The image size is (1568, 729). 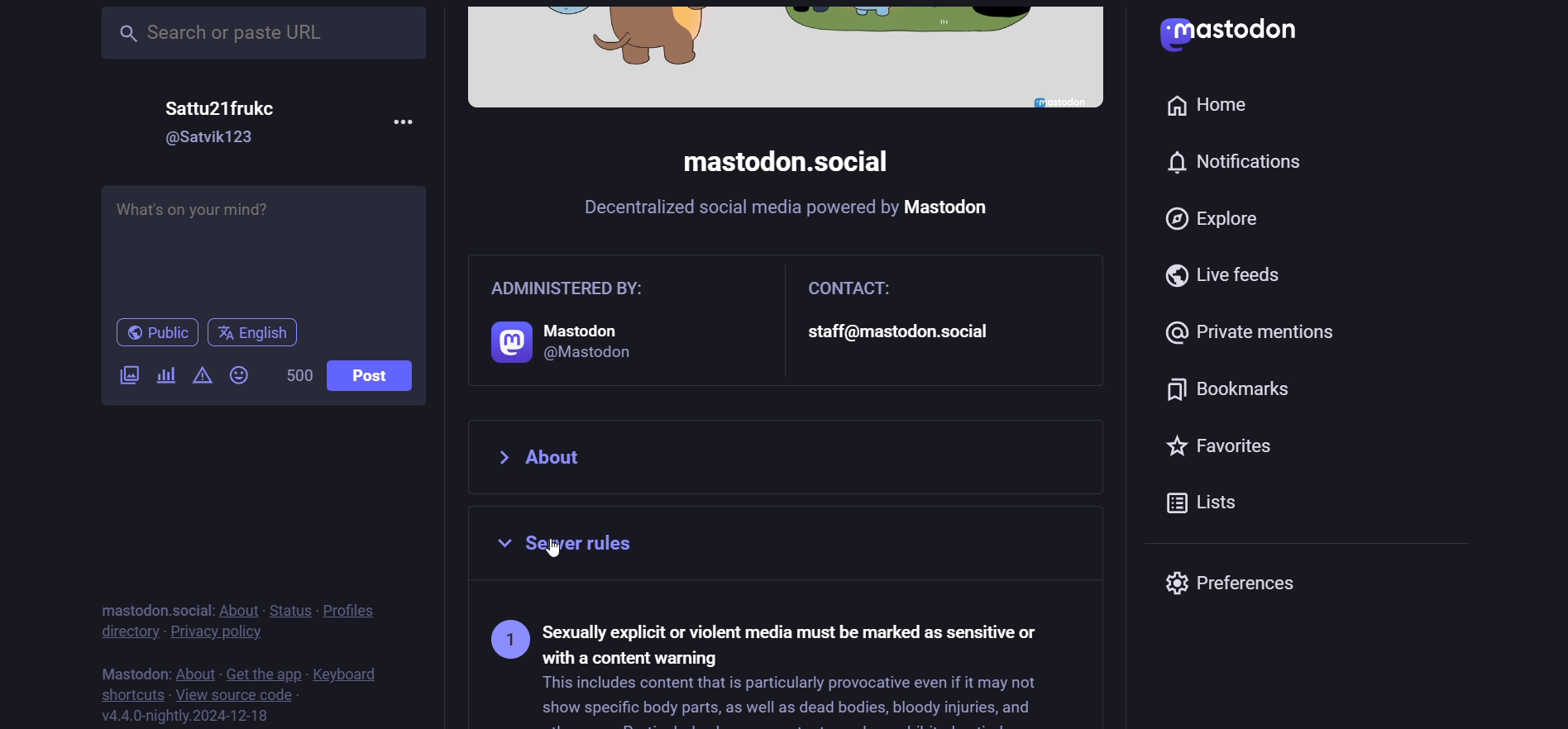 I want to click on server rules, so click(x=770, y=662).